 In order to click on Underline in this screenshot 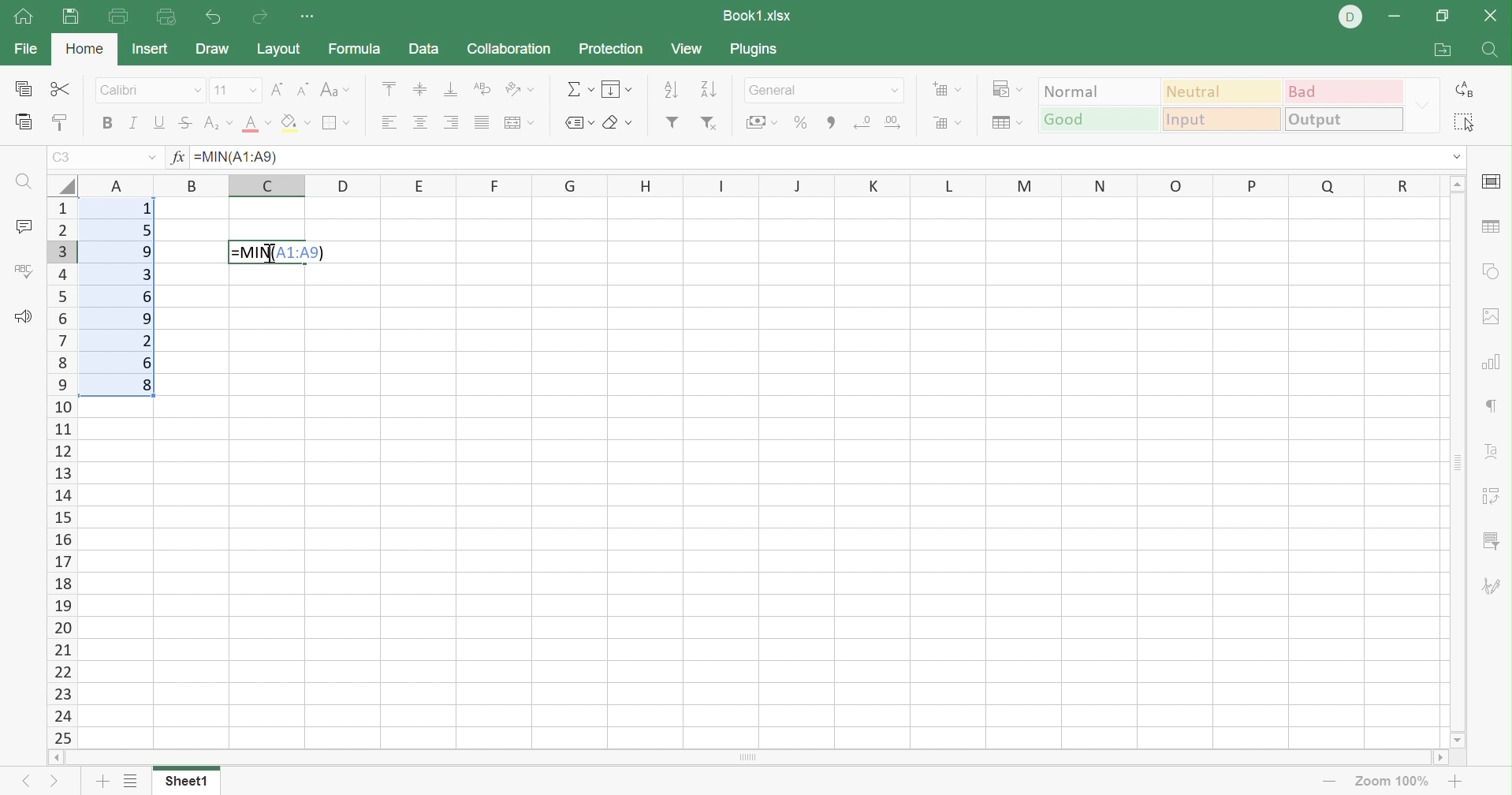, I will do `click(160, 125)`.